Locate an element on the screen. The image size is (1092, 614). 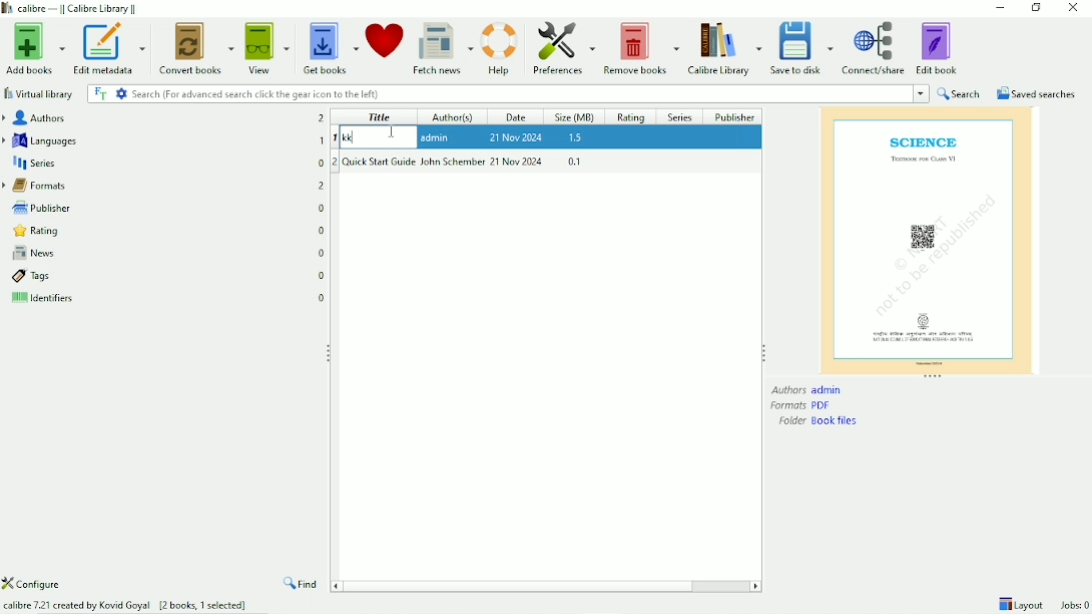
Convert books is located at coordinates (198, 48).